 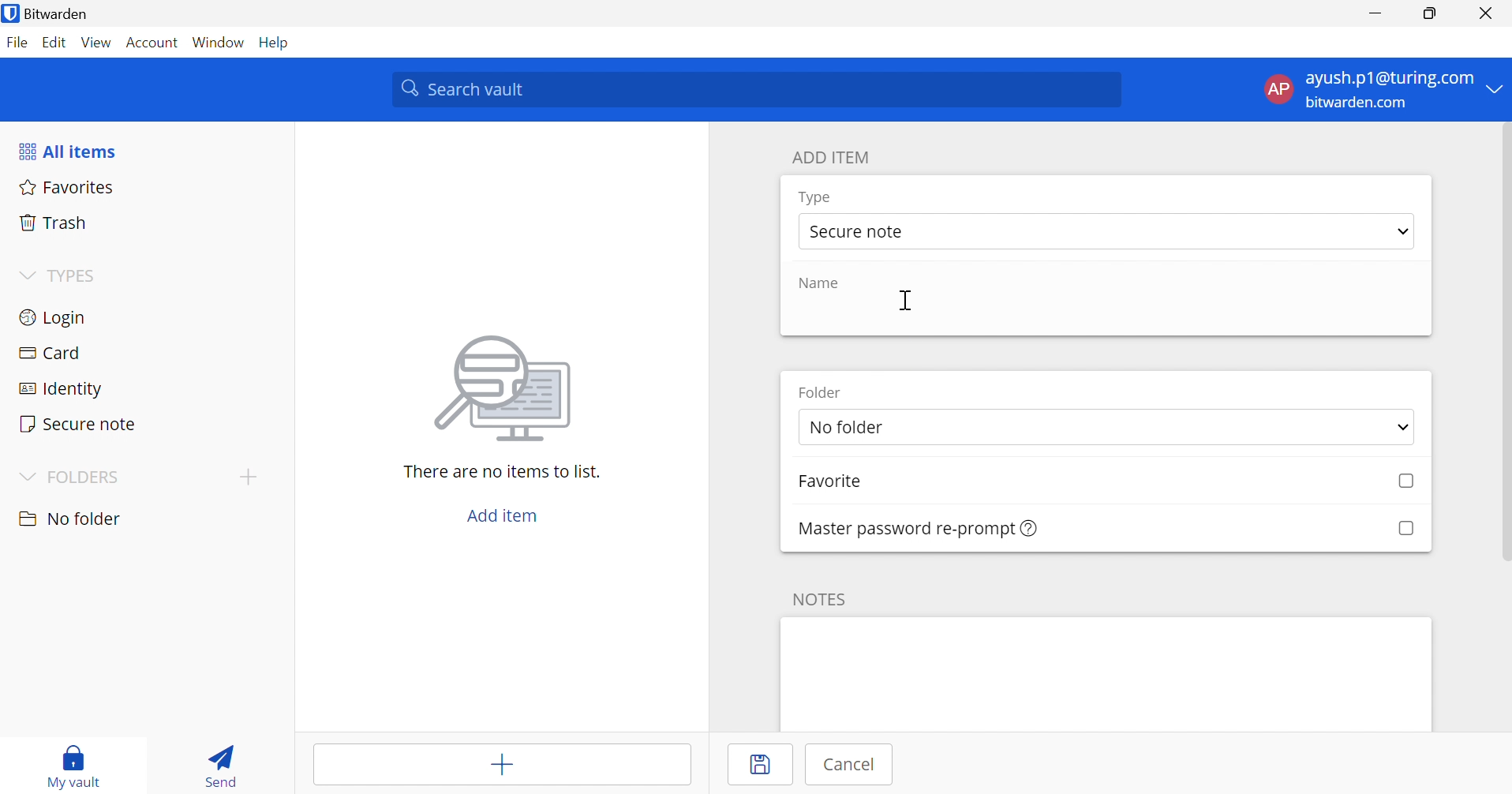 What do you see at coordinates (908, 301) in the screenshot?
I see `Cursor` at bounding box center [908, 301].